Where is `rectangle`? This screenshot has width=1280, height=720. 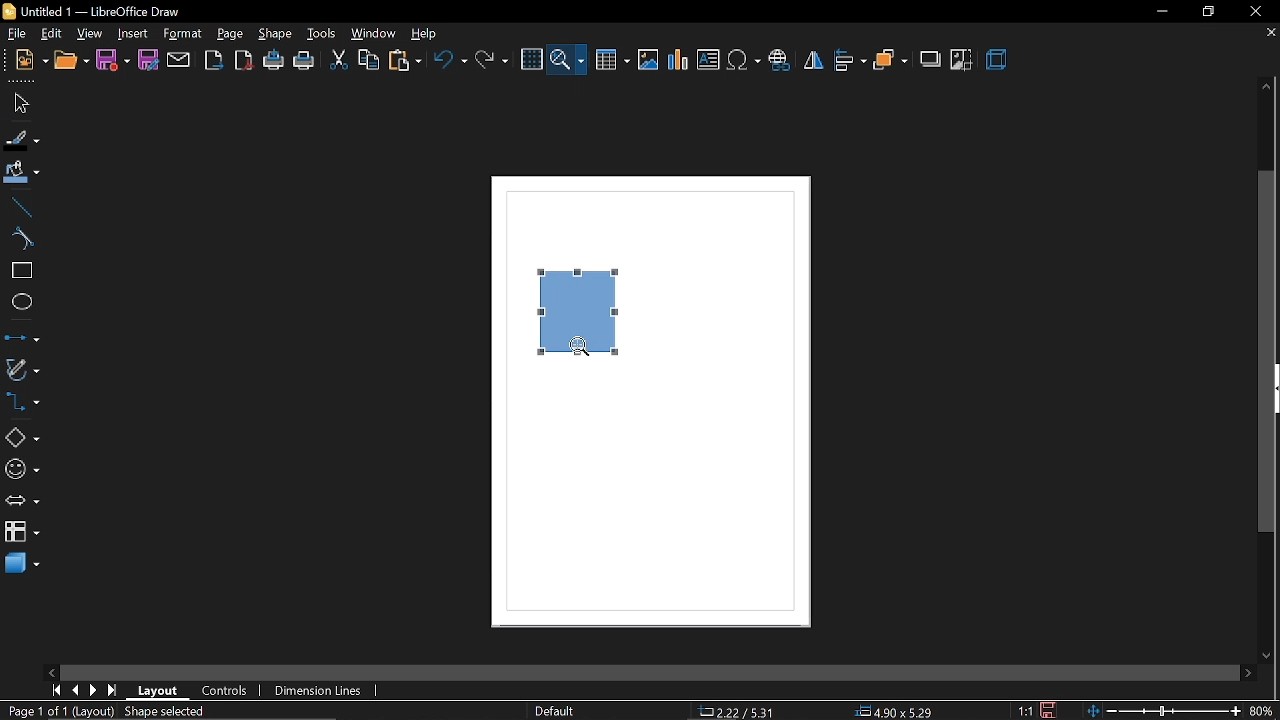
rectangle is located at coordinates (20, 269).